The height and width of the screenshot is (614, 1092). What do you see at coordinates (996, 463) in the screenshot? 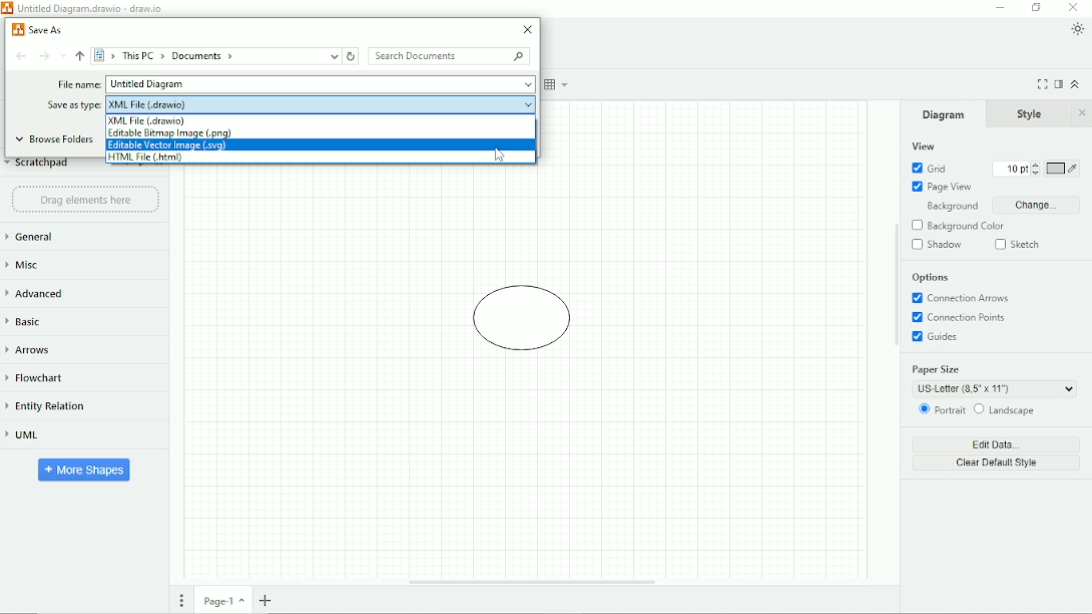
I see `Clear Default Style` at bounding box center [996, 463].